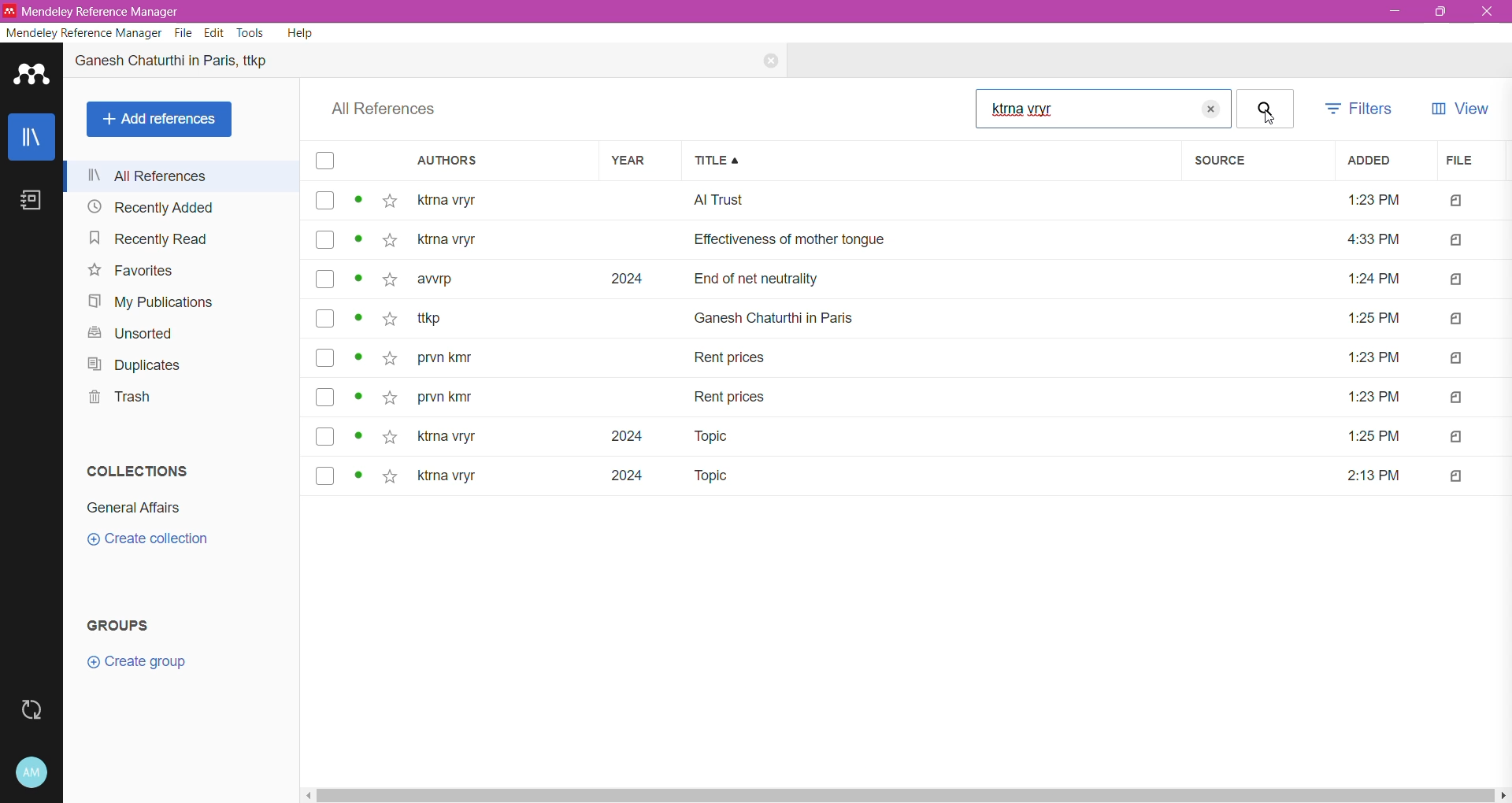 The image size is (1512, 803). What do you see at coordinates (911, 398) in the screenshot?
I see `prvn kmr Rent prices 1:23 PM` at bounding box center [911, 398].